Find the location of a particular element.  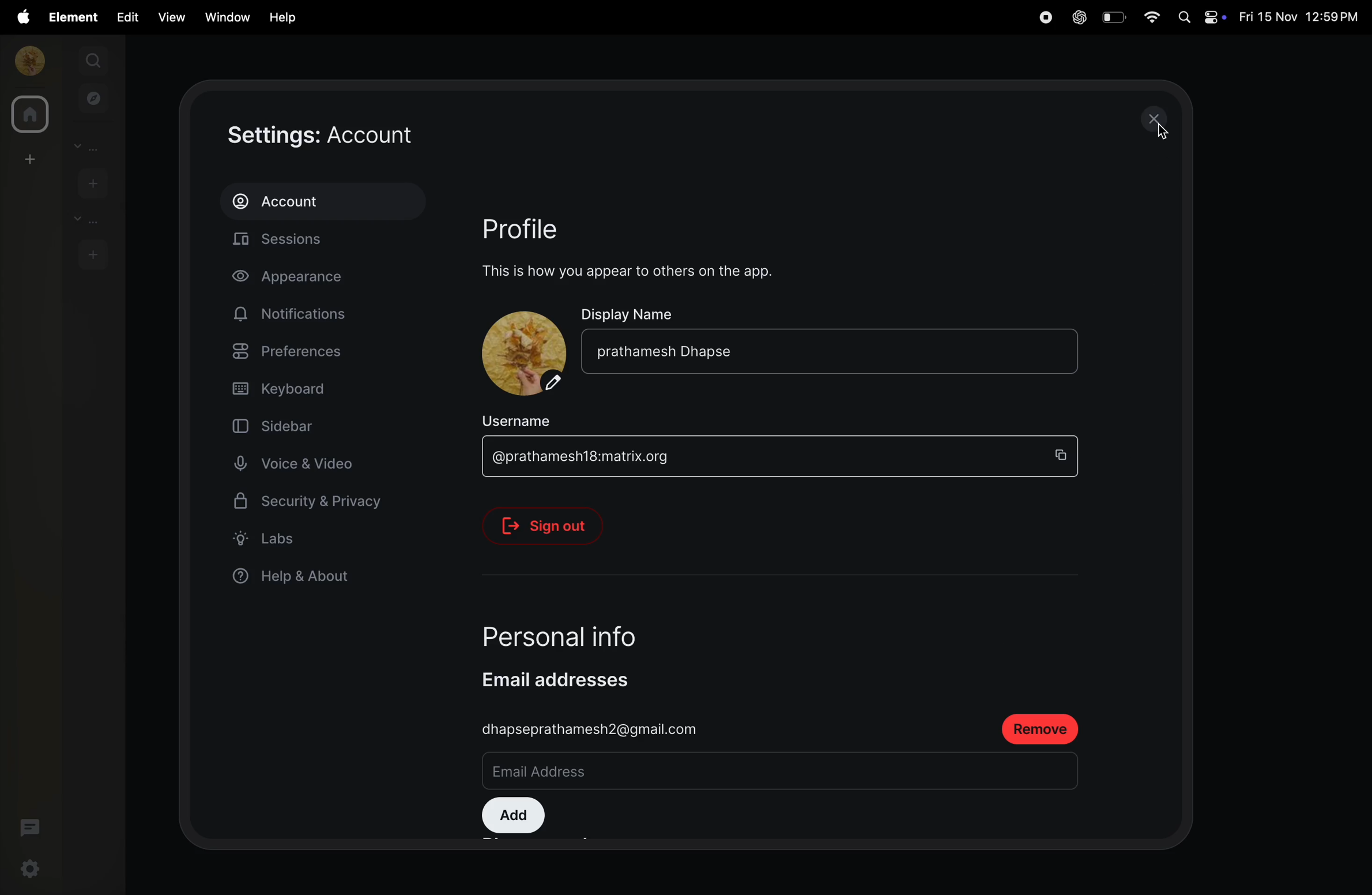

people is located at coordinates (91, 146).